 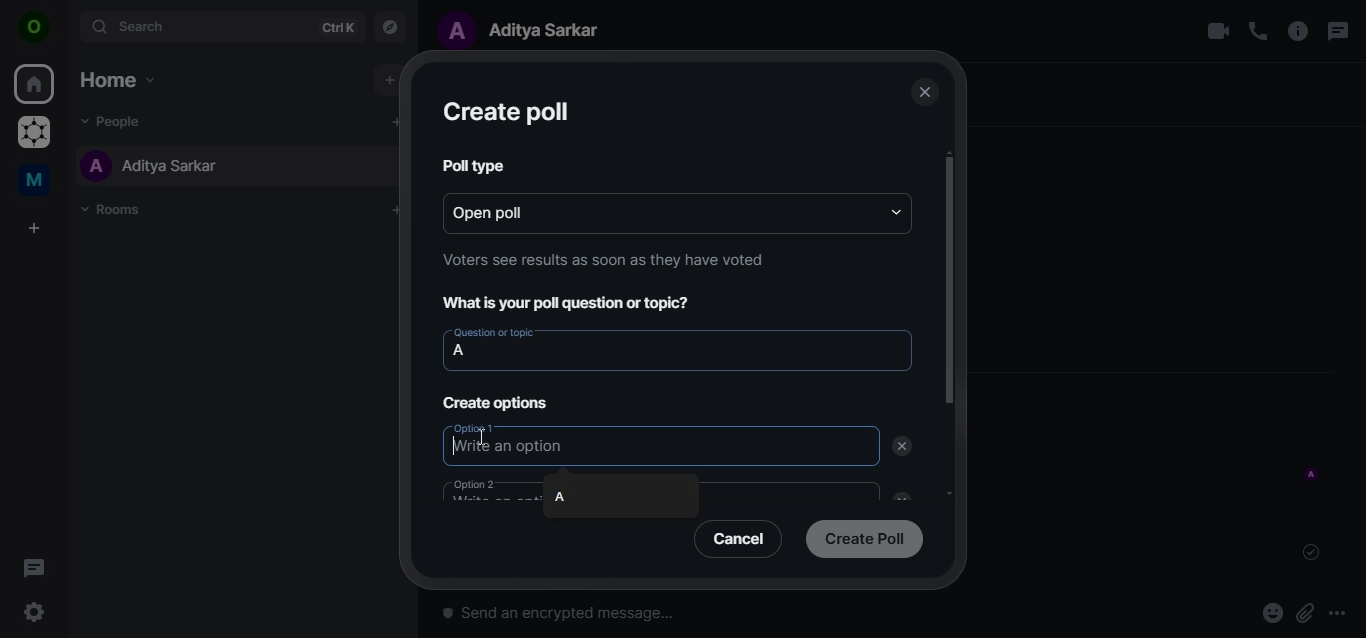 What do you see at coordinates (37, 183) in the screenshot?
I see `me` at bounding box center [37, 183].